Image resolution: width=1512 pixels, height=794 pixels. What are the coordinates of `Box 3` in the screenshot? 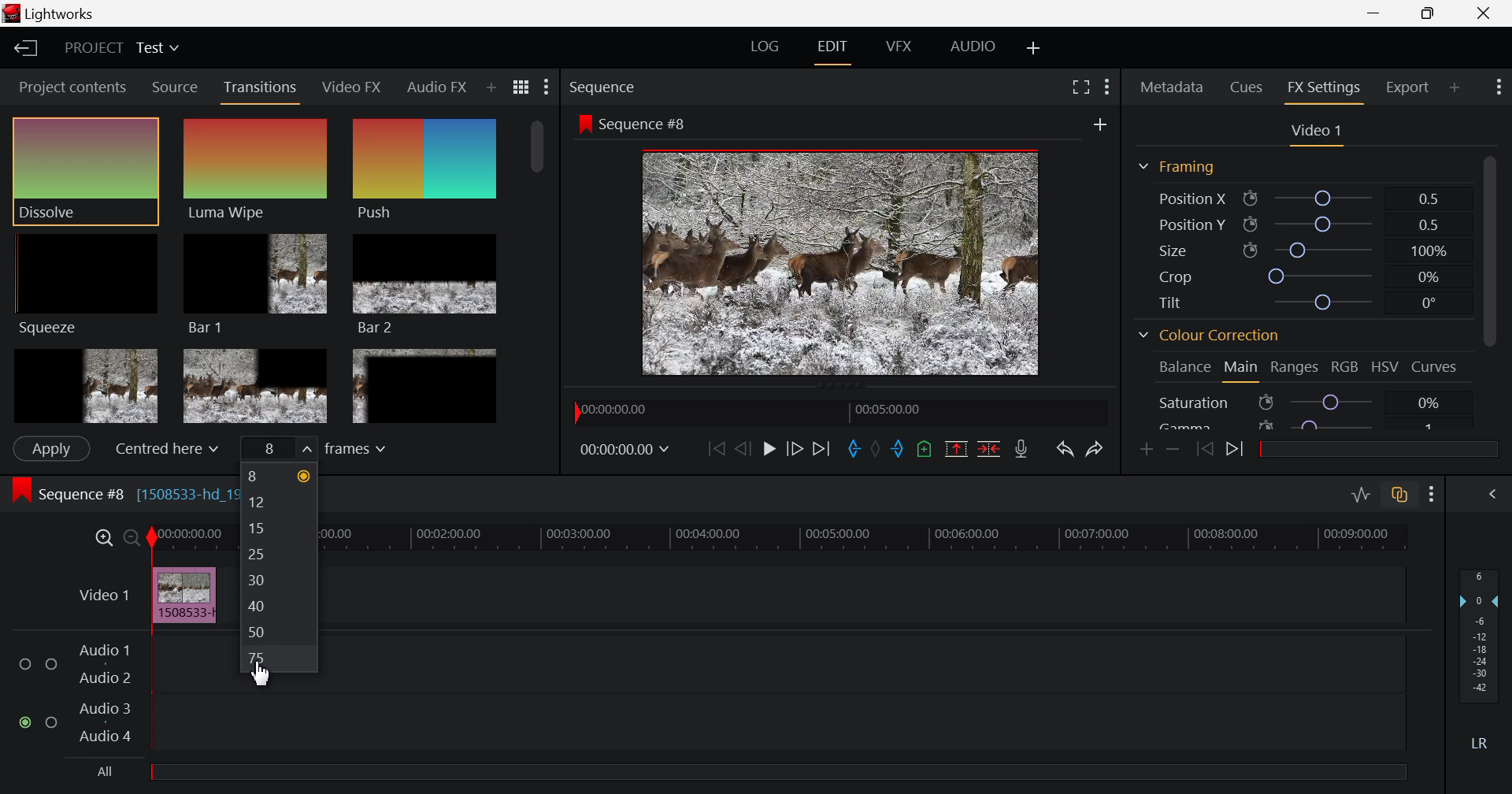 It's located at (424, 386).